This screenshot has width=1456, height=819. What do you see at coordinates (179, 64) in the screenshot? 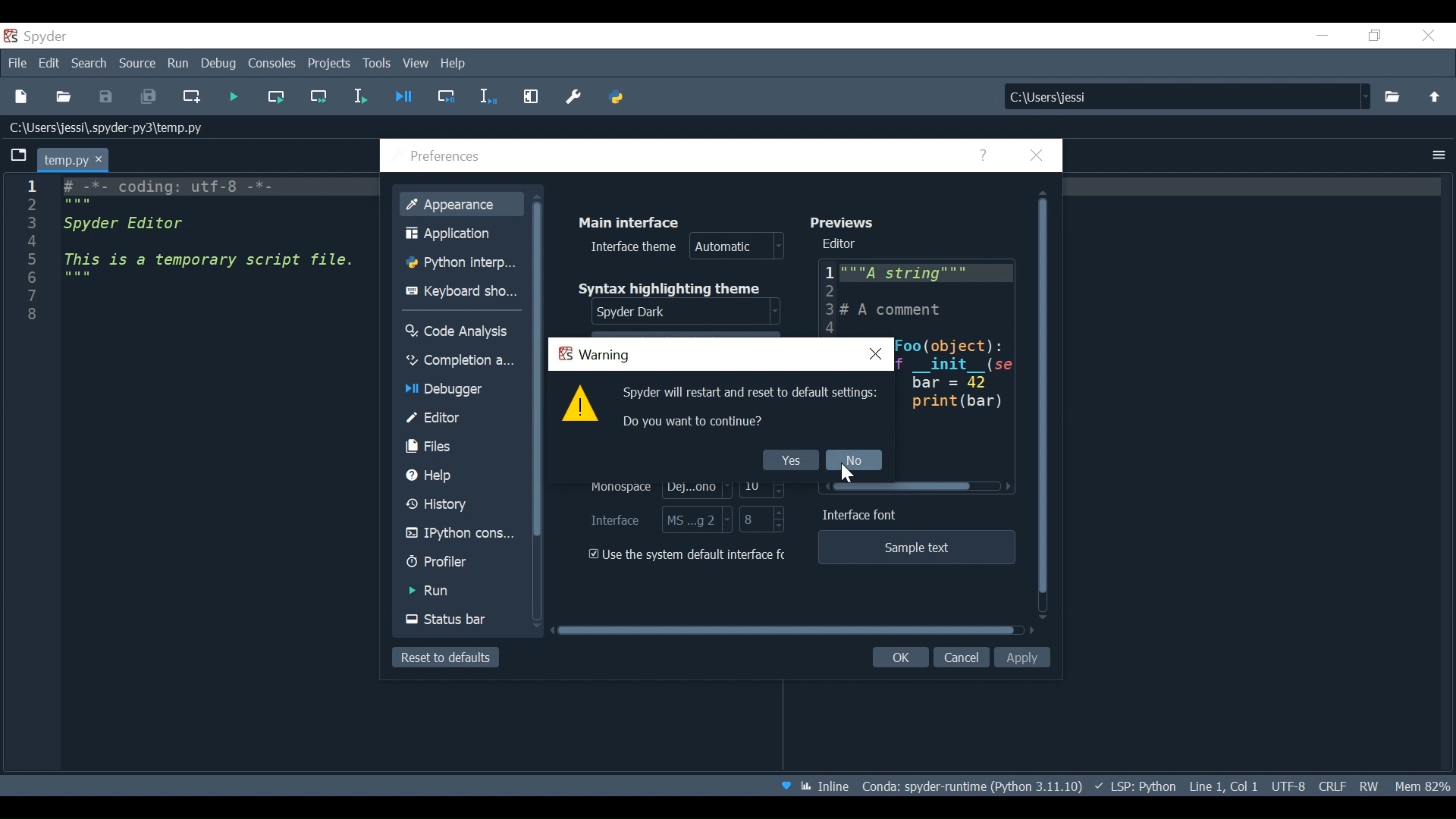
I see `Run` at bounding box center [179, 64].